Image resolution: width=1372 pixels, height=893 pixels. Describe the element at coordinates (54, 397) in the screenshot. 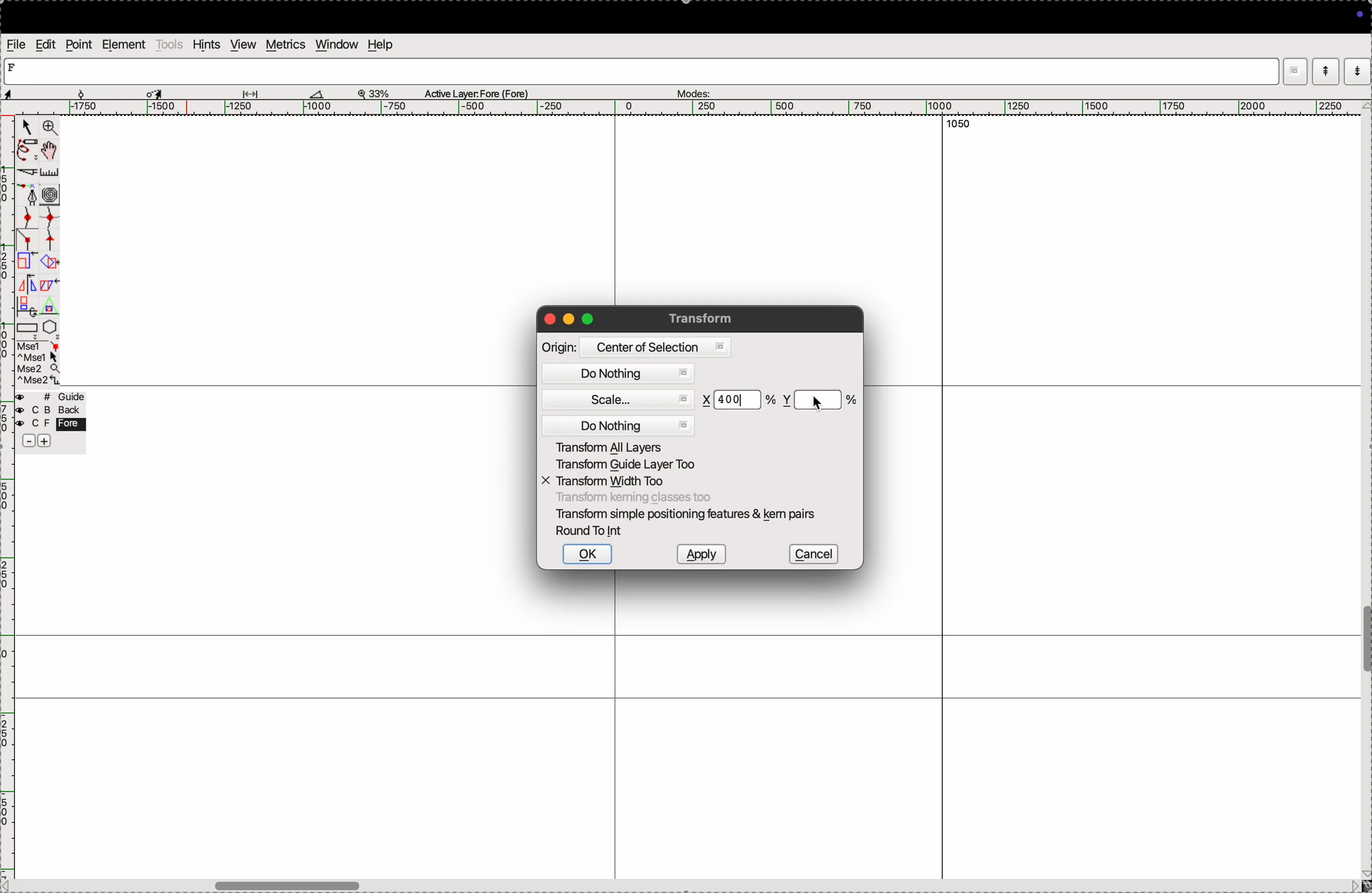

I see `guide` at that location.